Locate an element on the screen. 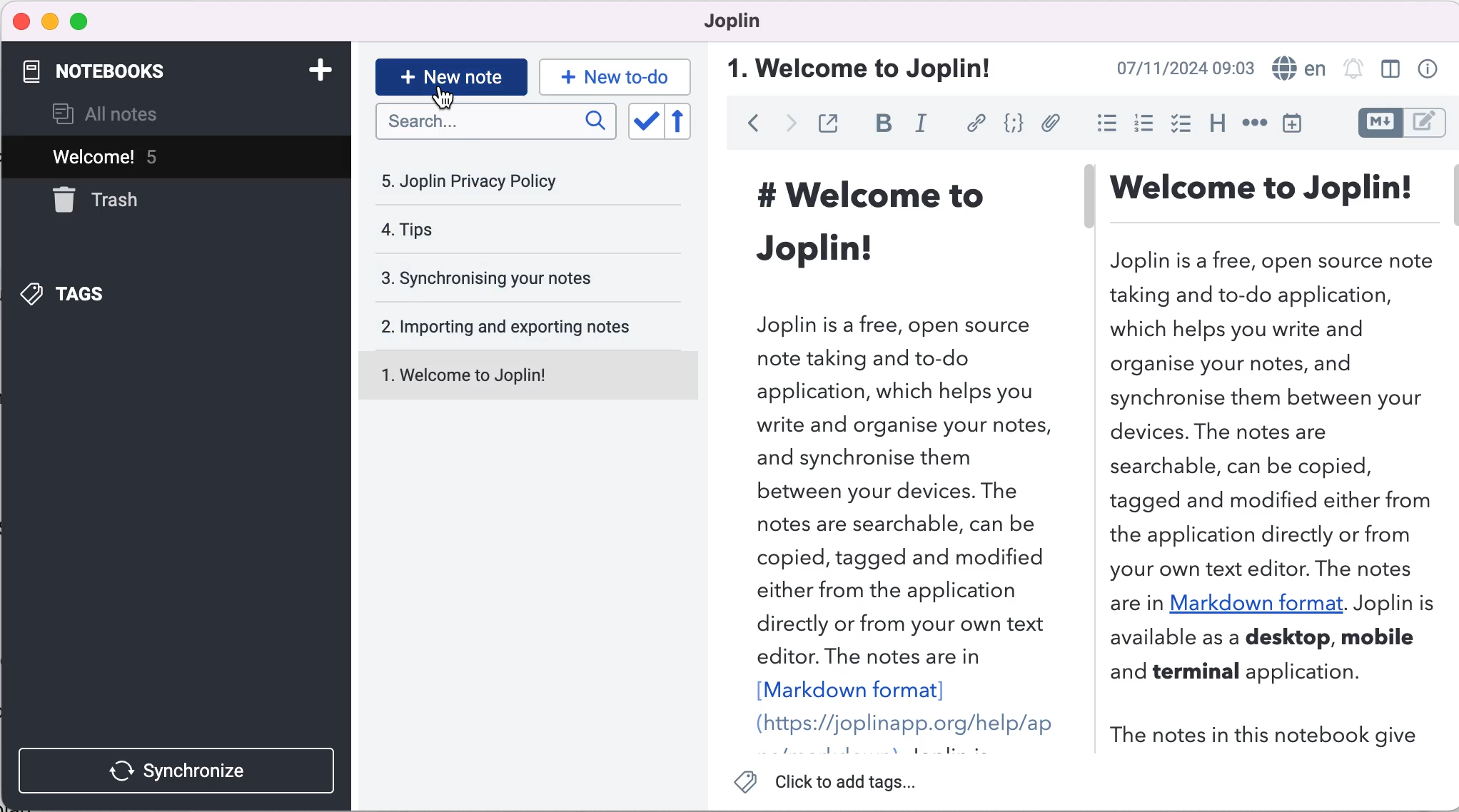  bold is located at coordinates (881, 124).